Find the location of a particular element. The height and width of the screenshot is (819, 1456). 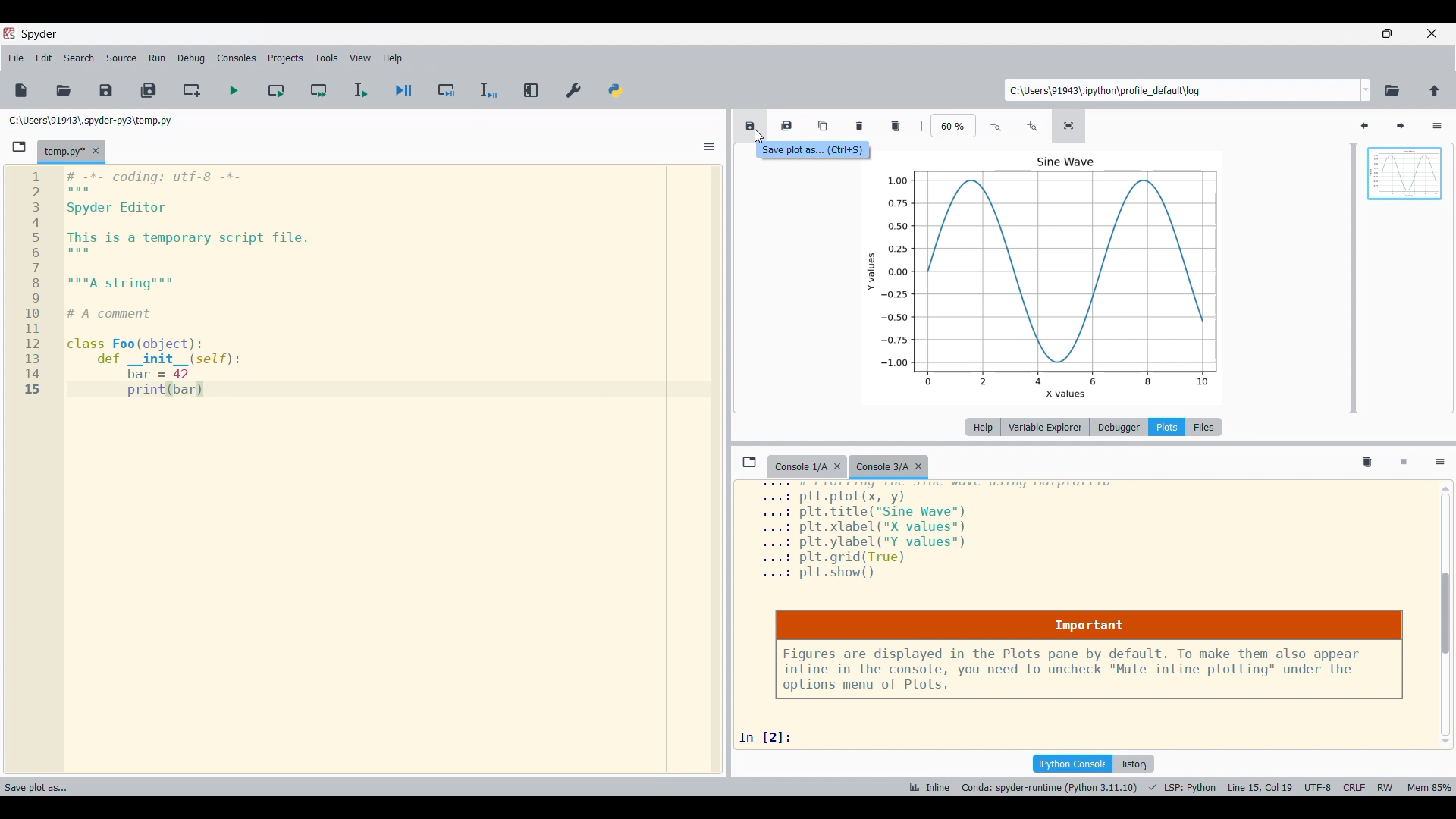

Close tab is located at coordinates (96, 151).